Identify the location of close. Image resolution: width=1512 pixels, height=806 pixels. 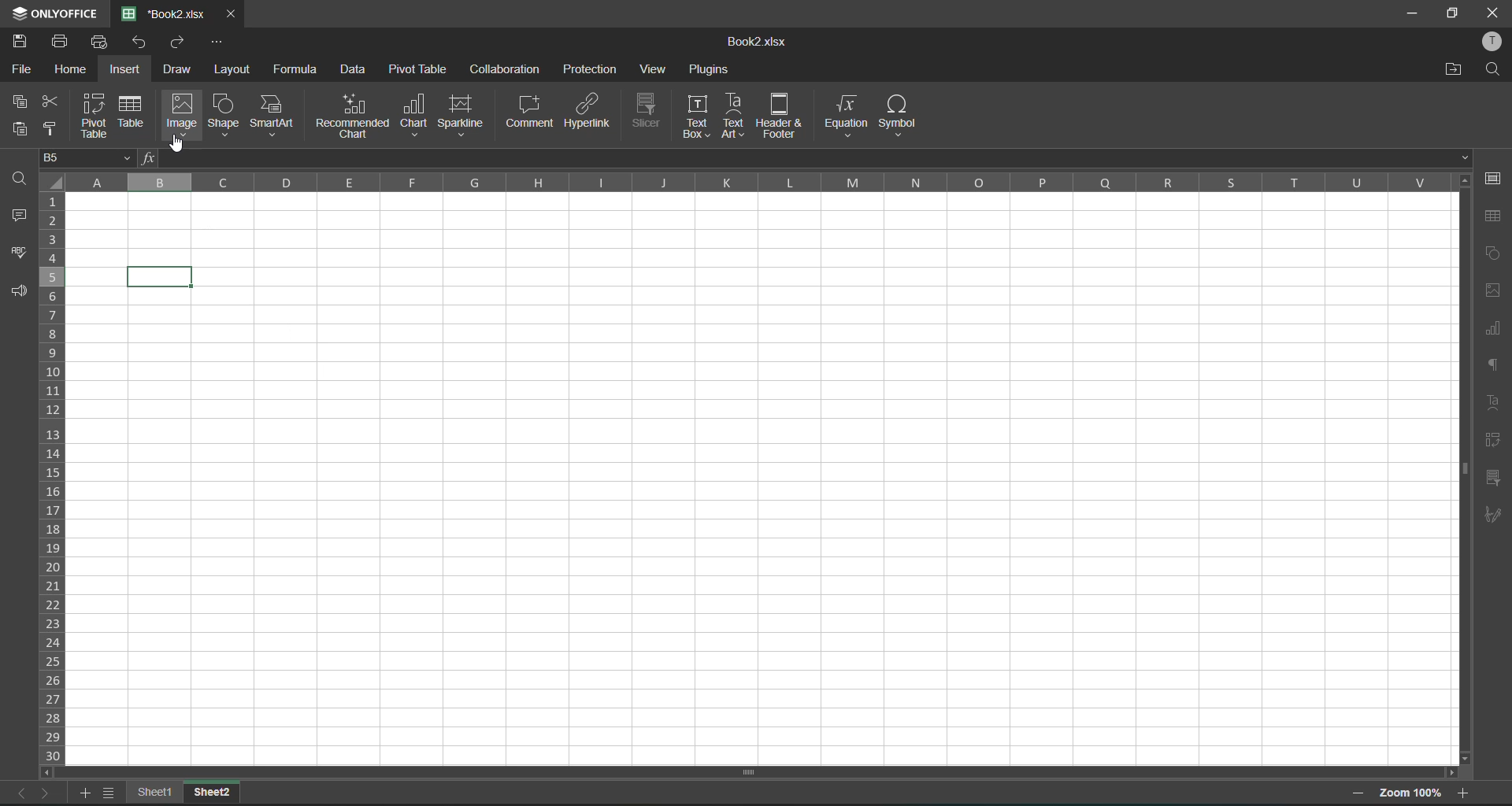
(1493, 11).